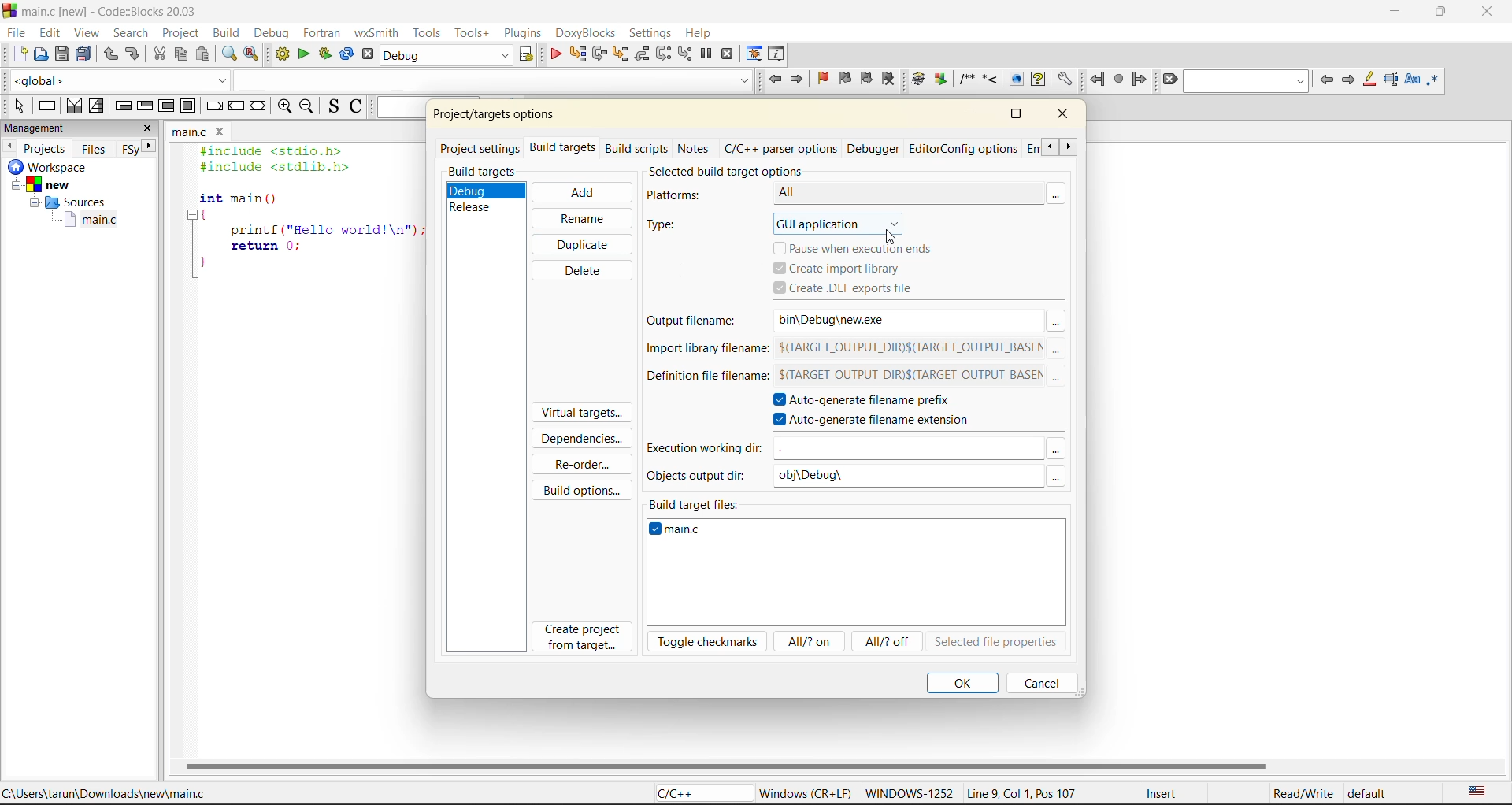 This screenshot has height=805, width=1512. Describe the element at coordinates (1118, 80) in the screenshot. I see `last jump` at that location.